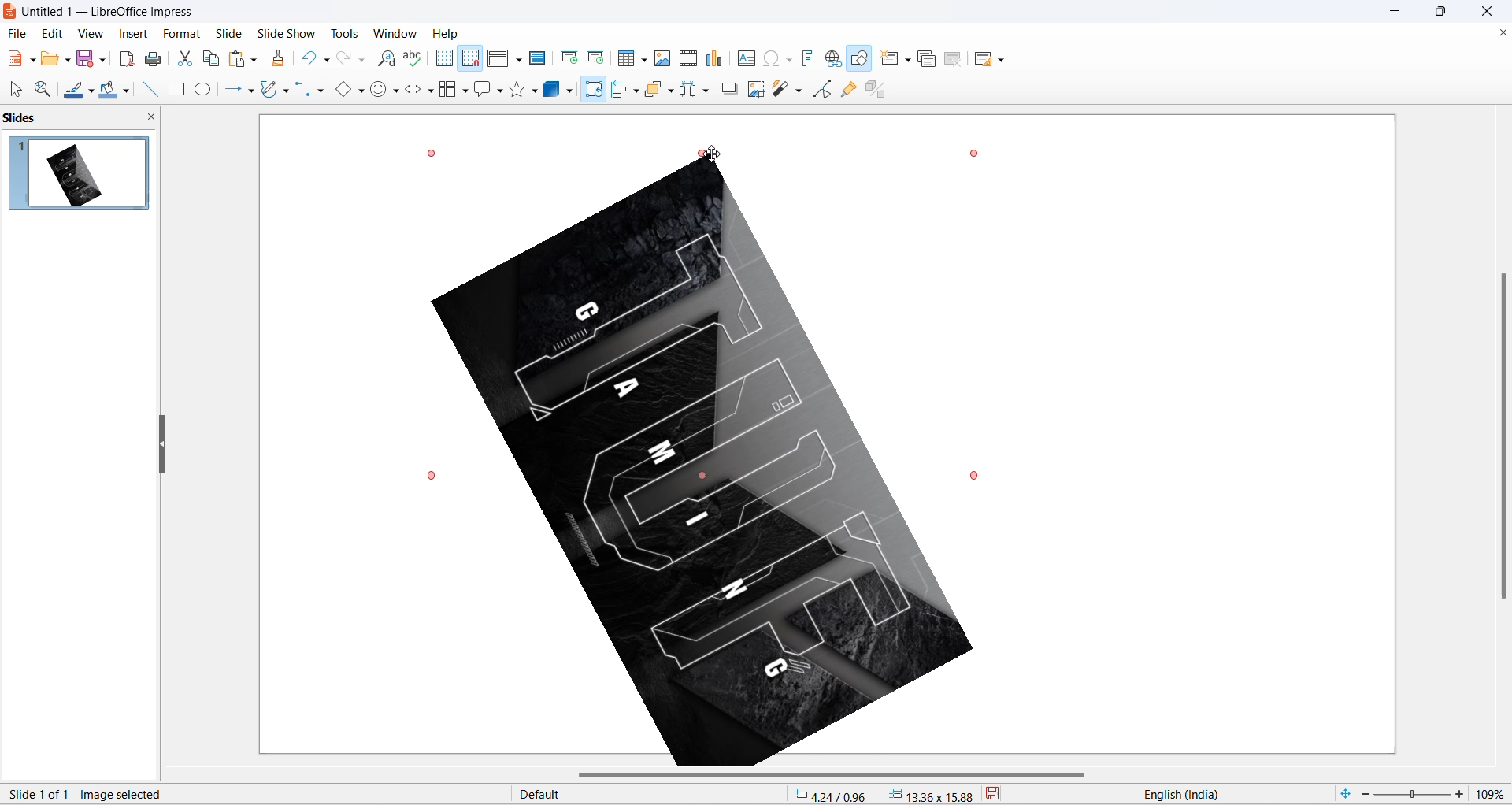 The image size is (1512, 805). Describe the element at coordinates (881, 87) in the screenshot. I see `toggle extrusion` at that location.